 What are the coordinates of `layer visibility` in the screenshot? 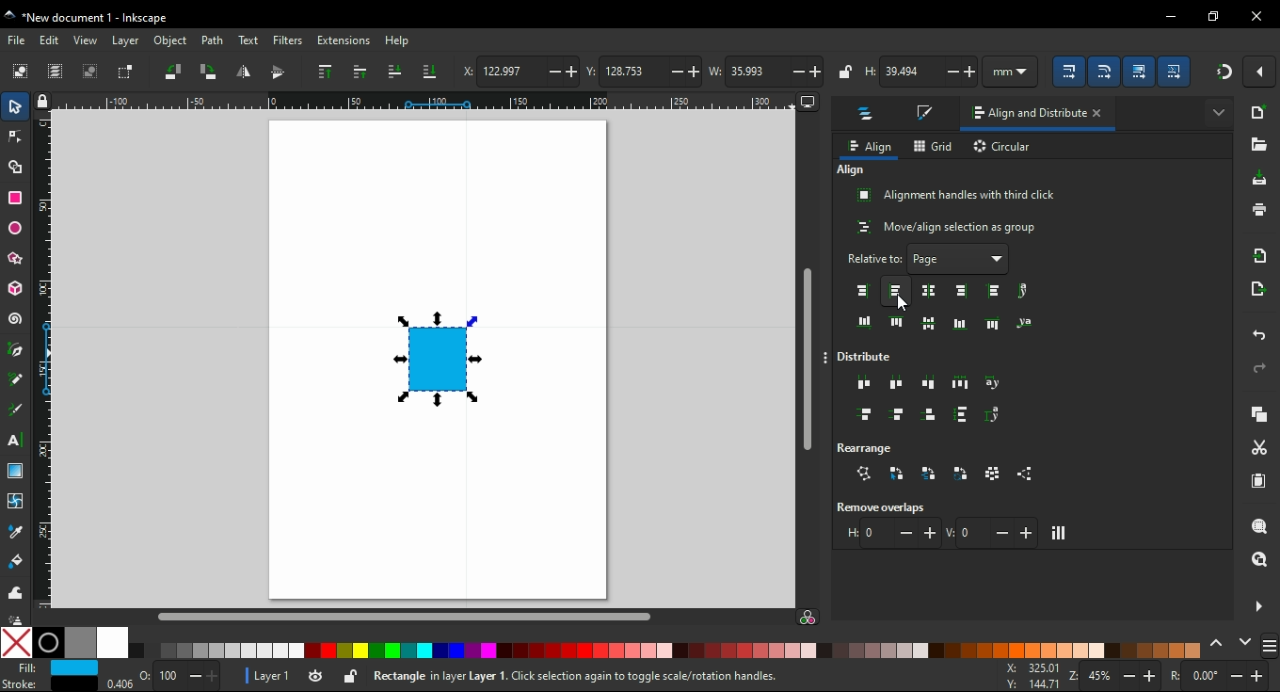 It's located at (320, 676).